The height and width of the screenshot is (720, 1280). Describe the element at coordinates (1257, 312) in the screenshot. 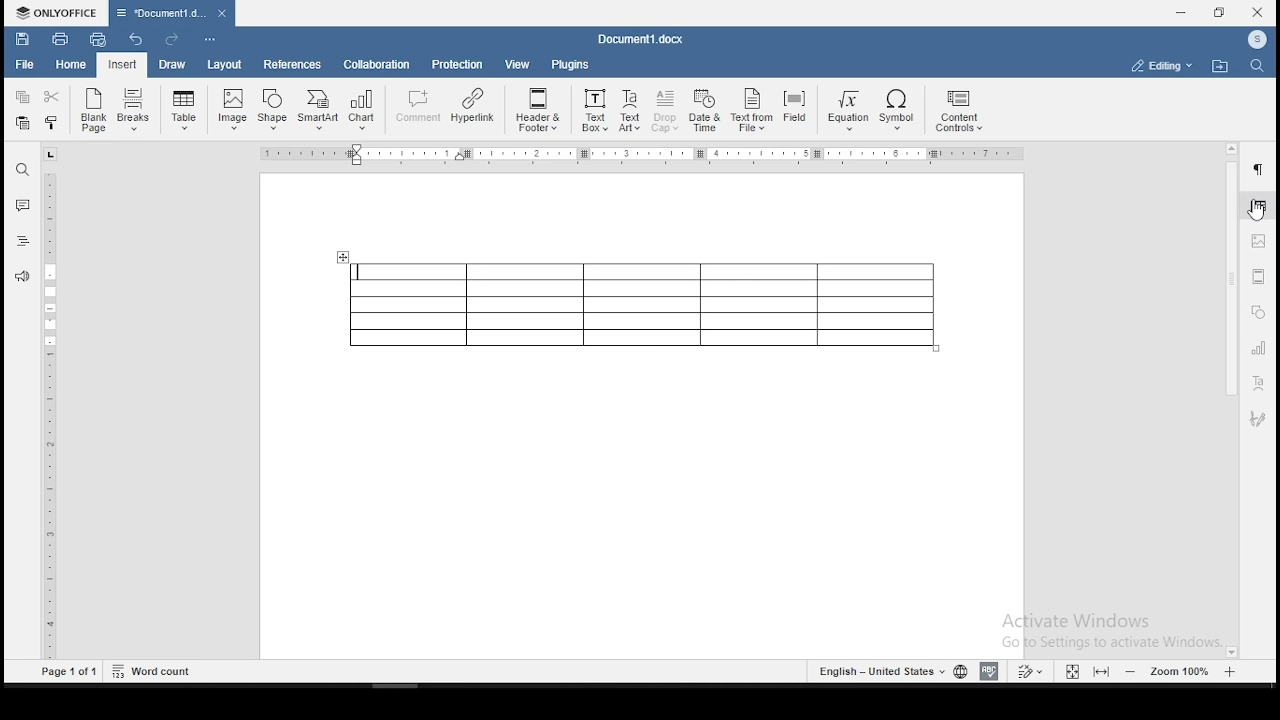

I see `shapes settings` at that location.